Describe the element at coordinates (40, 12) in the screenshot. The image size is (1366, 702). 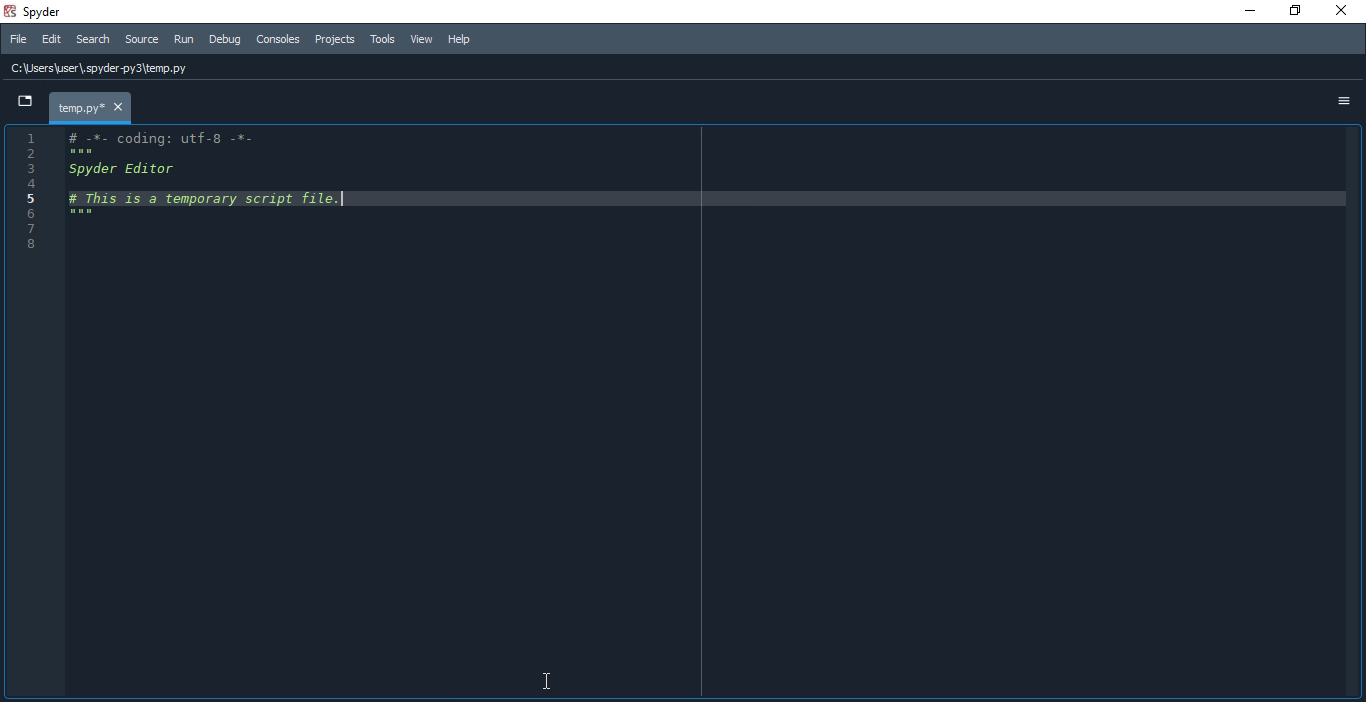
I see `spyder` at that location.